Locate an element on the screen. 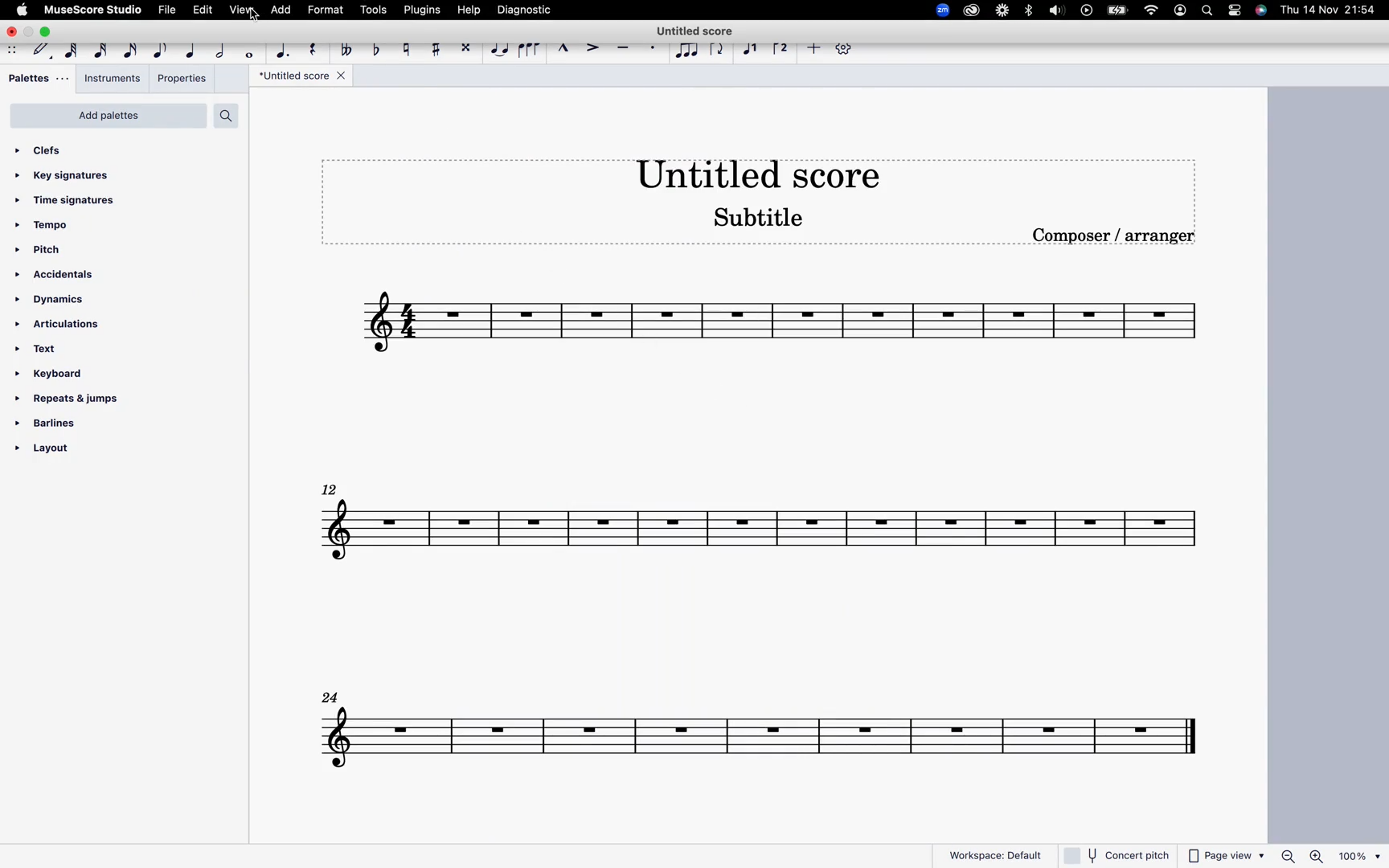  instruments is located at coordinates (111, 80).